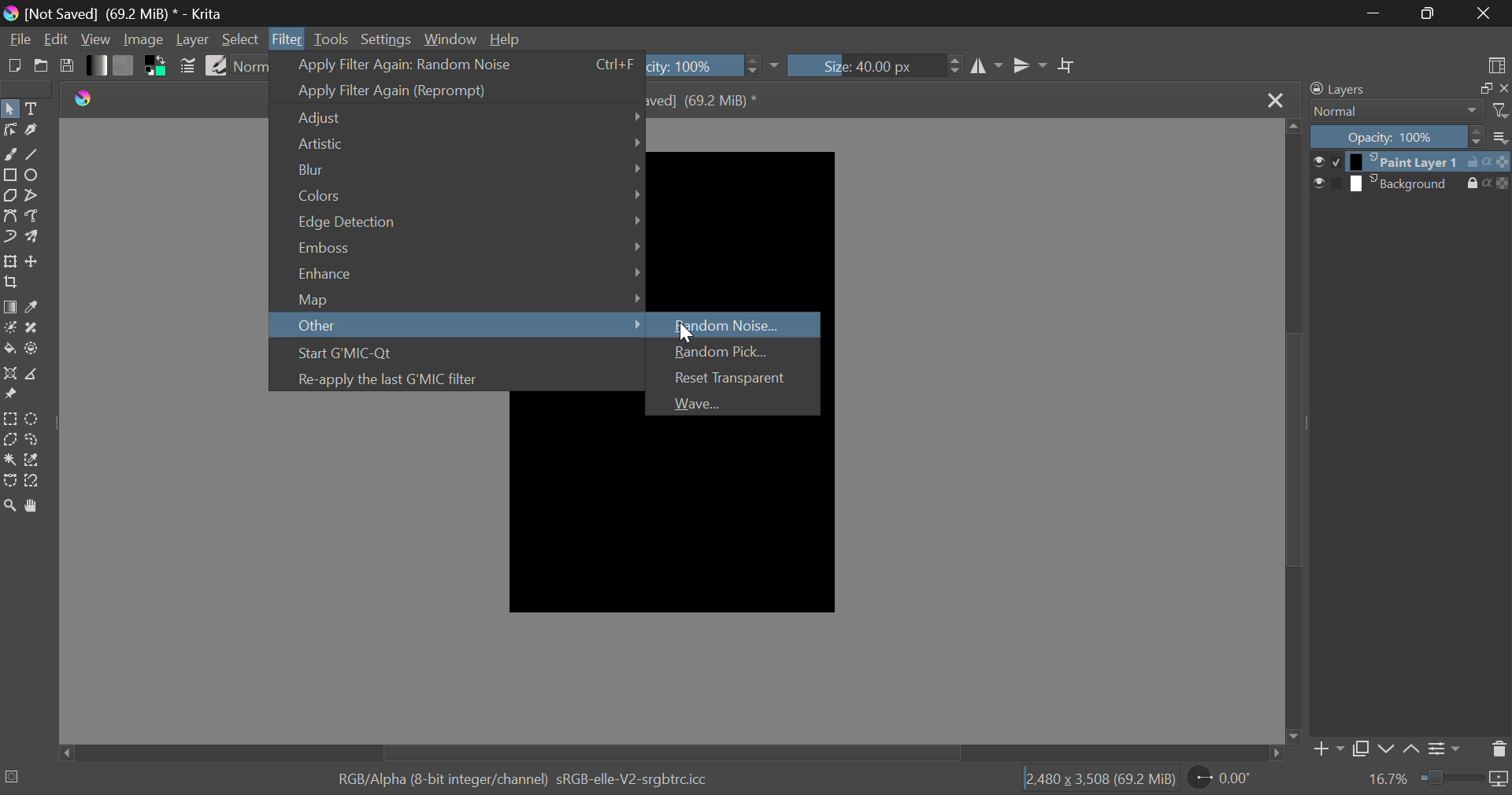 Image resolution: width=1512 pixels, height=795 pixels. I want to click on Select, so click(240, 39).